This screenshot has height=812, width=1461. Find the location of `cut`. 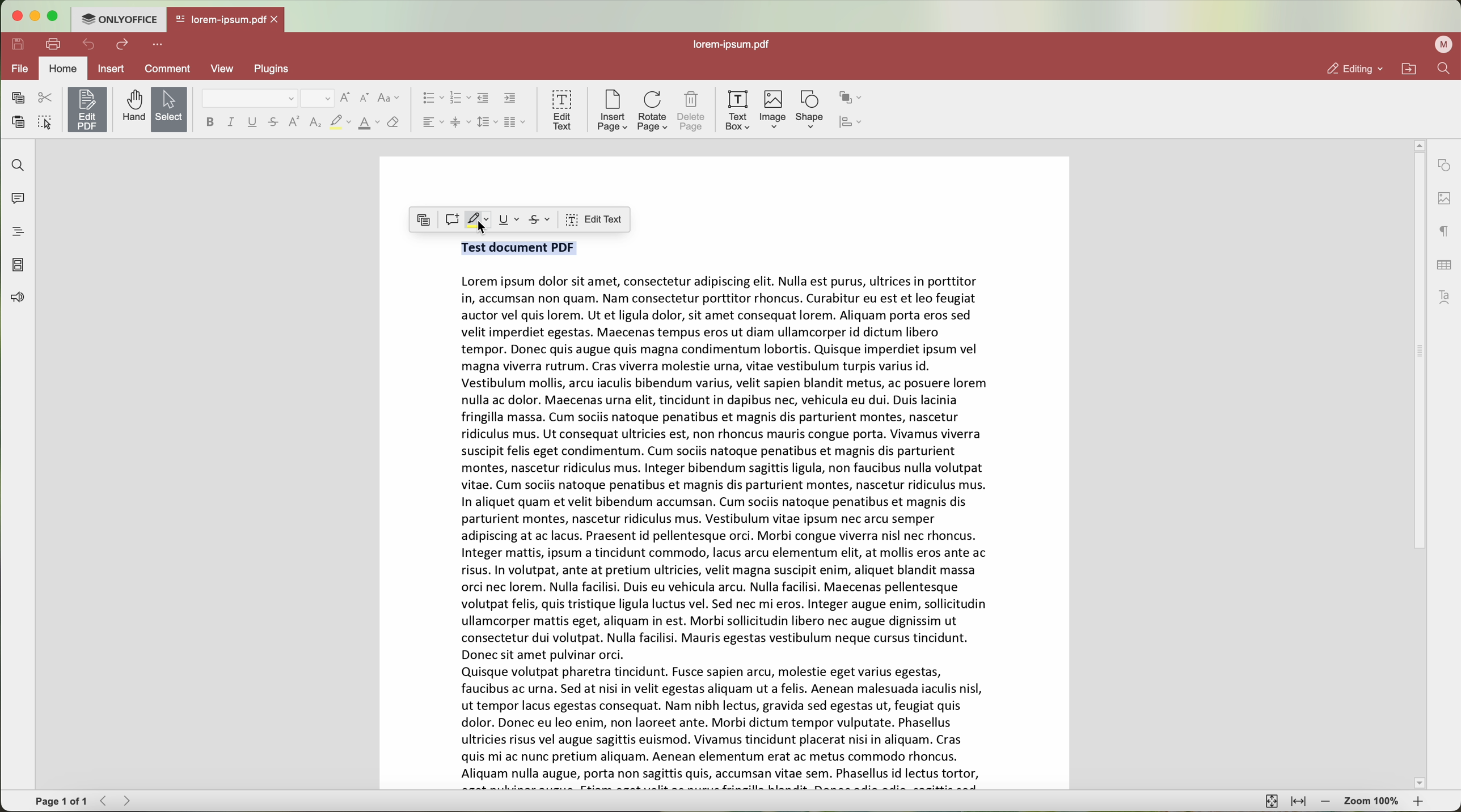

cut is located at coordinates (48, 98).